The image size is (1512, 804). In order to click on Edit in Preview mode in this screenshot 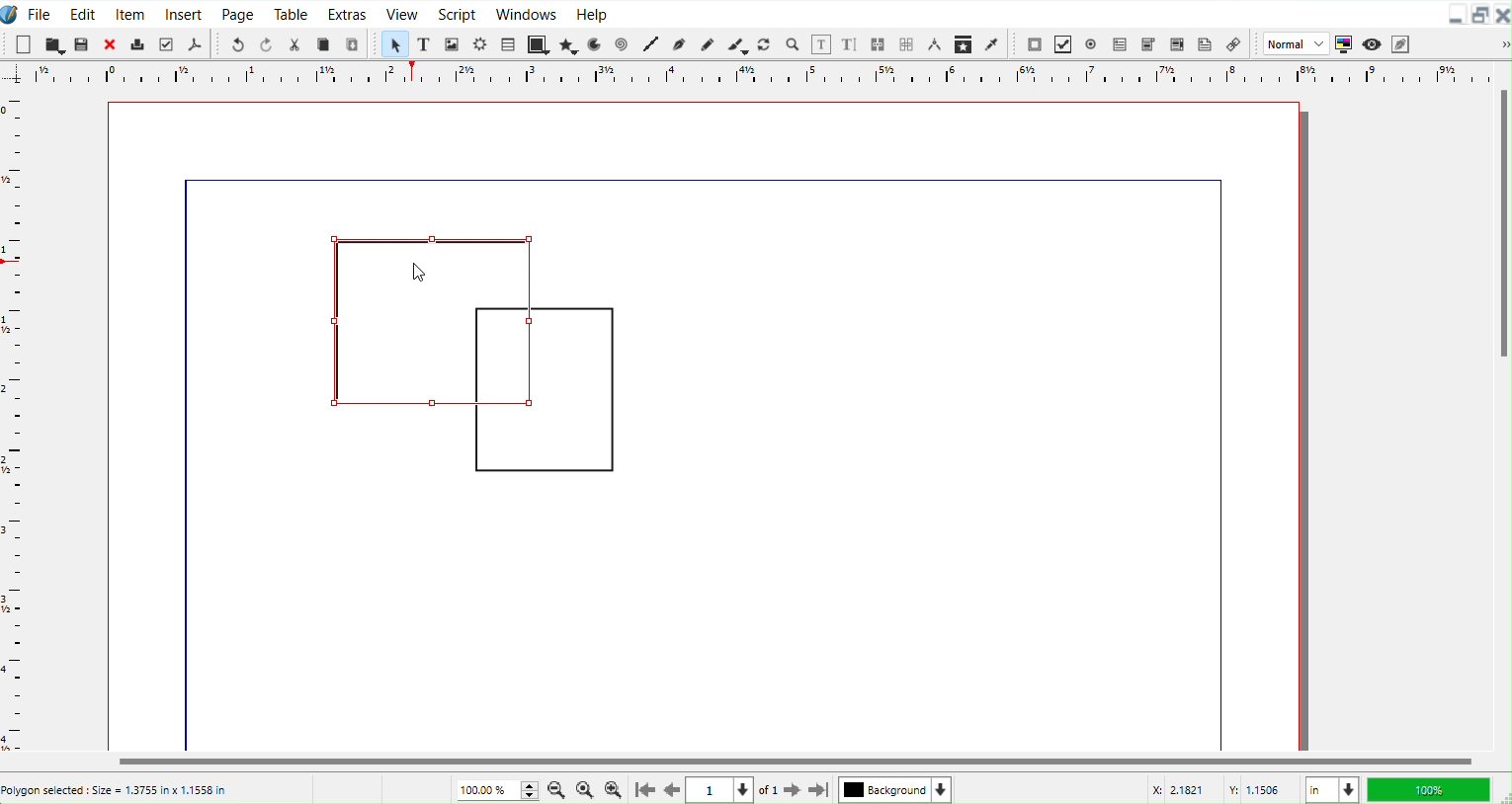, I will do `click(1400, 42)`.